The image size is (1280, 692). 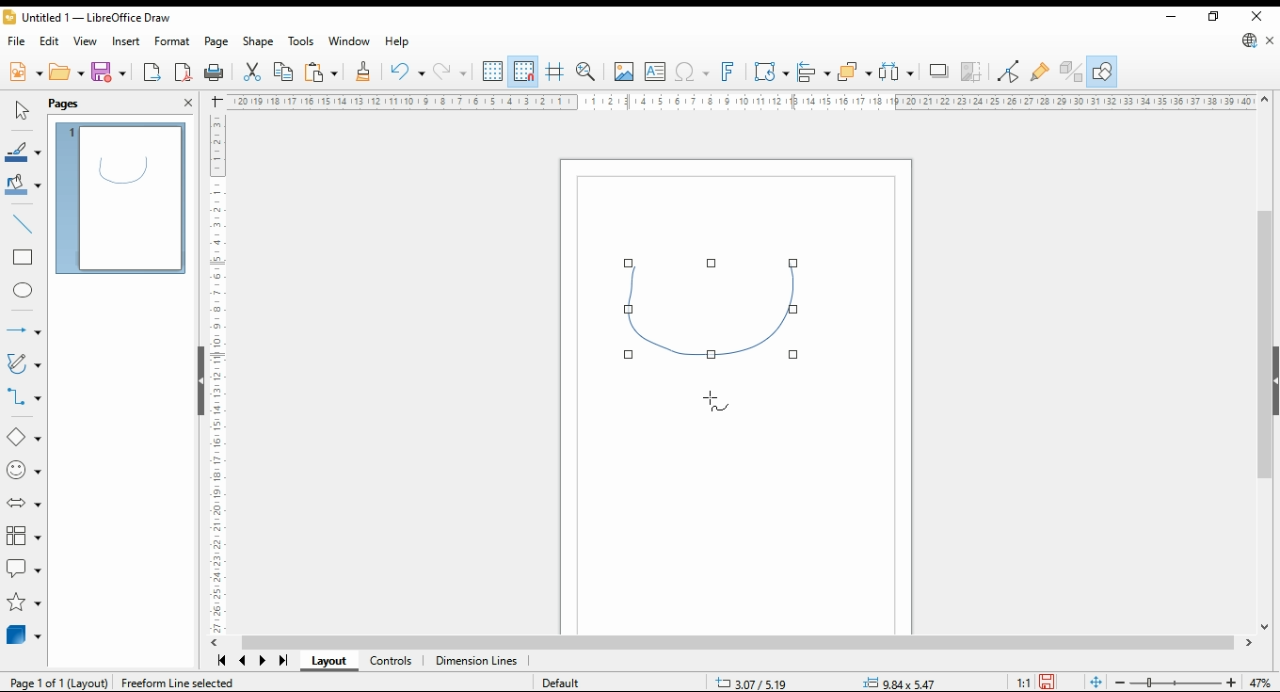 What do you see at coordinates (119, 199) in the screenshot?
I see `page 1` at bounding box center [119, 199].